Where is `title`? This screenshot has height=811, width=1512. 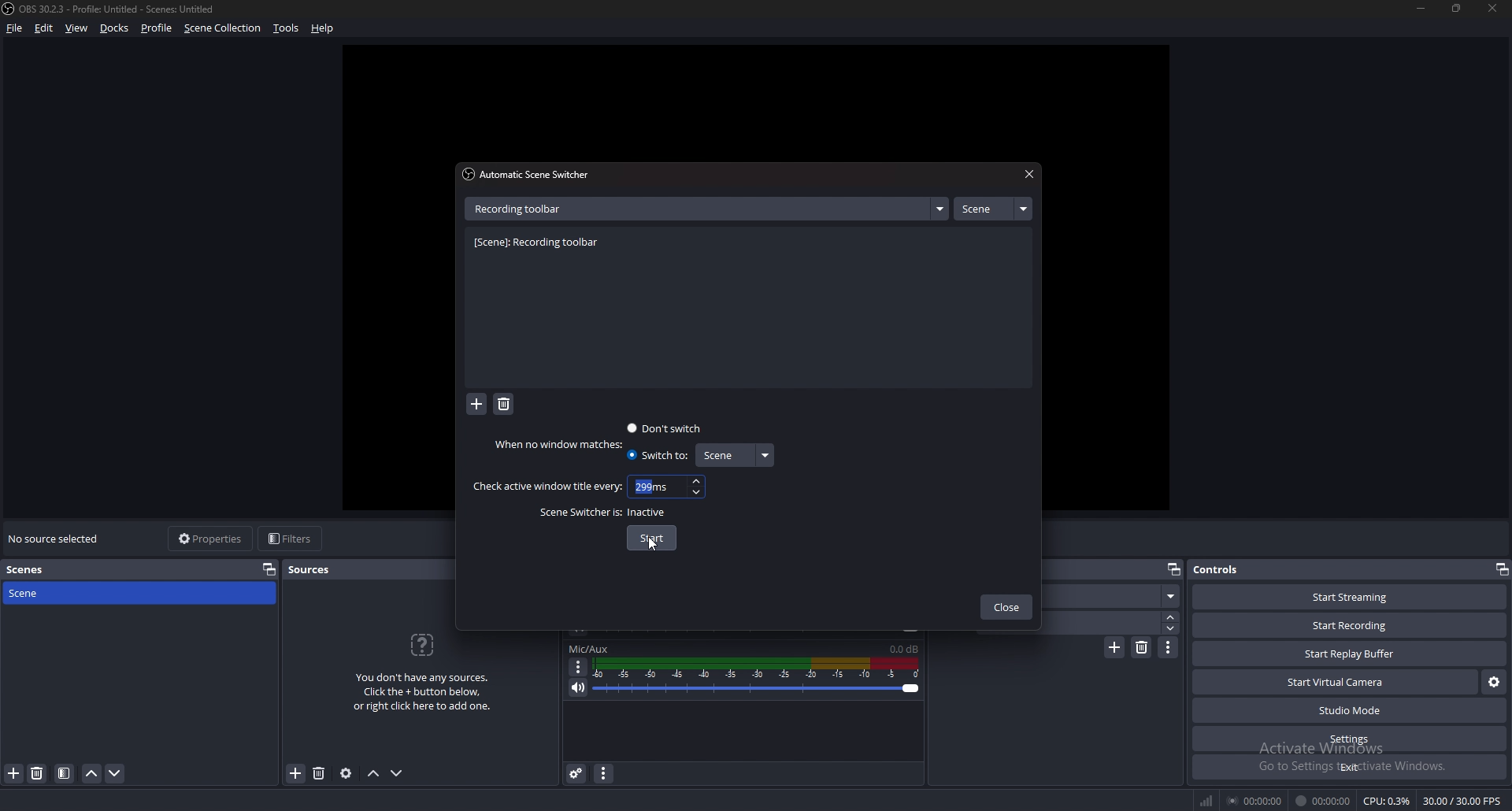 title is located at coordinates (113, 9).